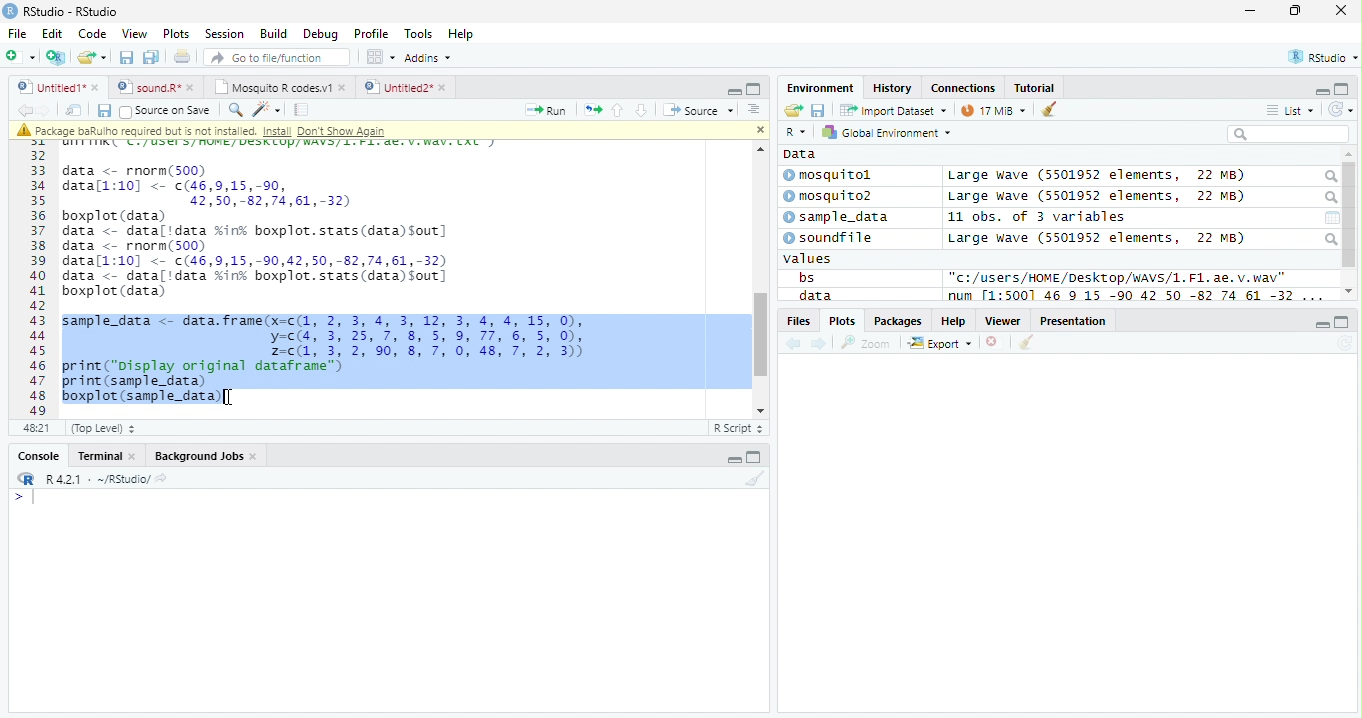  What do you see at coordinates (832, 196) in the screenshot?
I see `mosquito2` at bounding box center [832, 196].